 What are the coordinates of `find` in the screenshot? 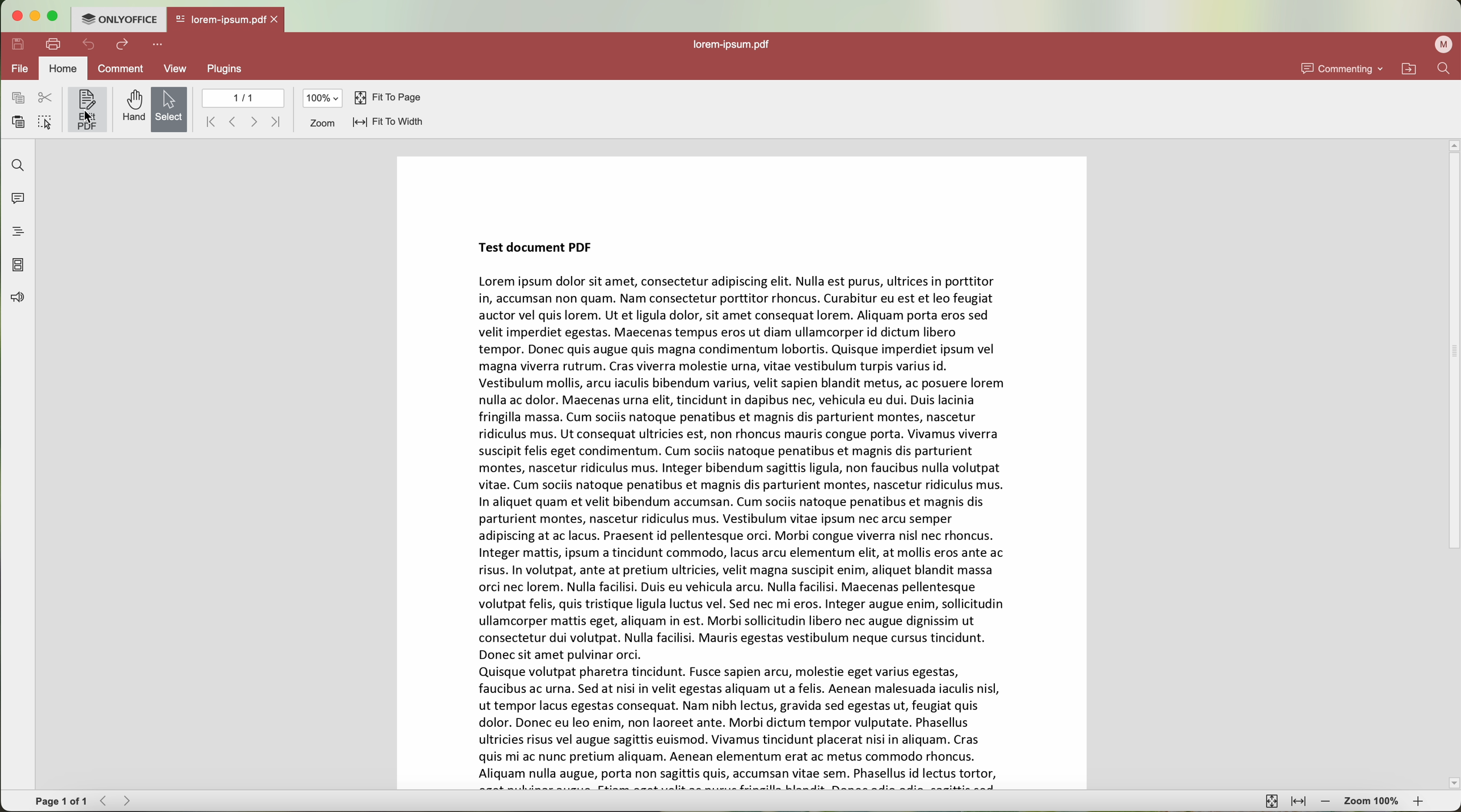 It's located at (1445, 69).